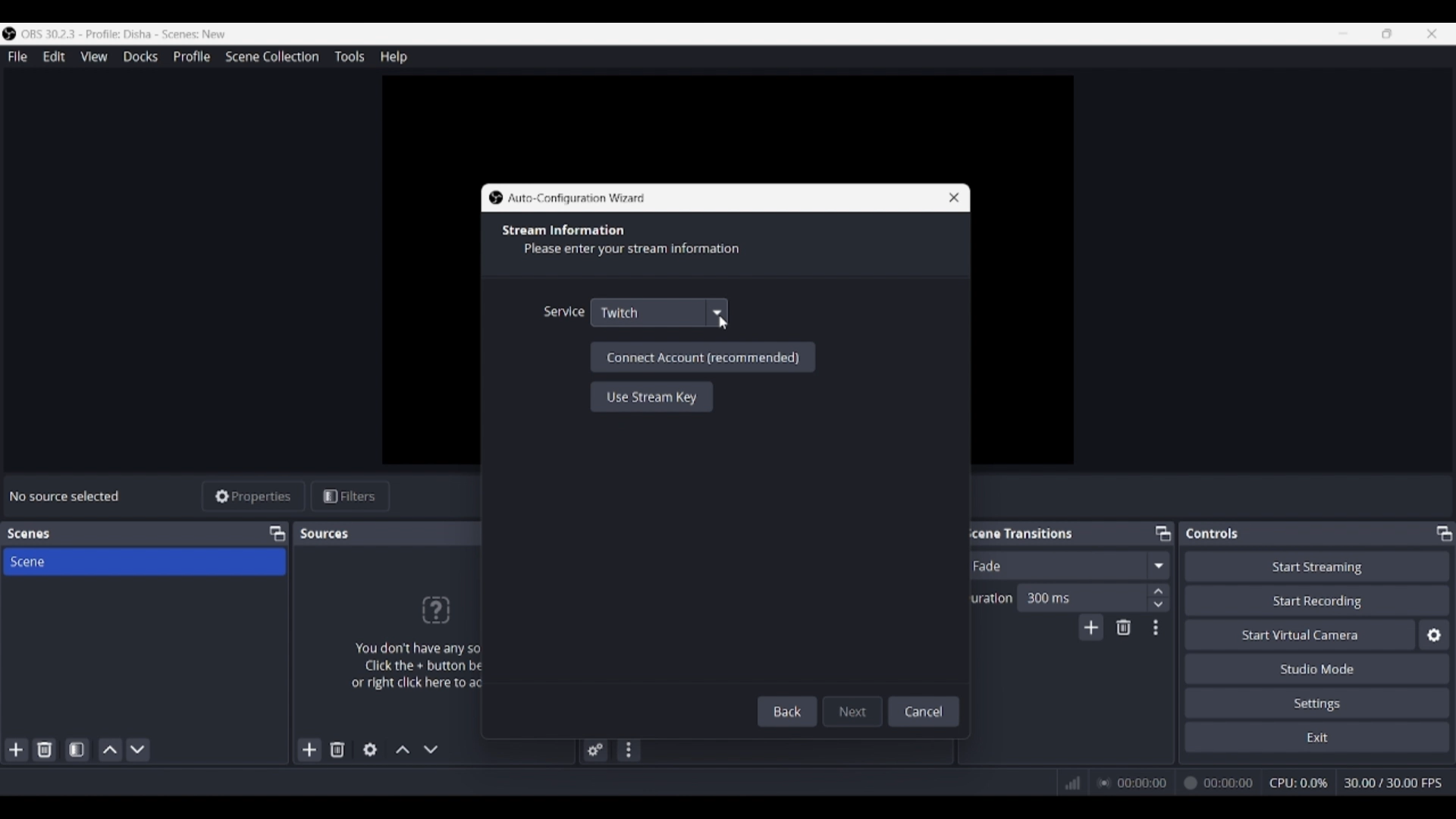  Describe the element at coordinates (431, 749) in the screenshot. I see `Move source down` at that location.